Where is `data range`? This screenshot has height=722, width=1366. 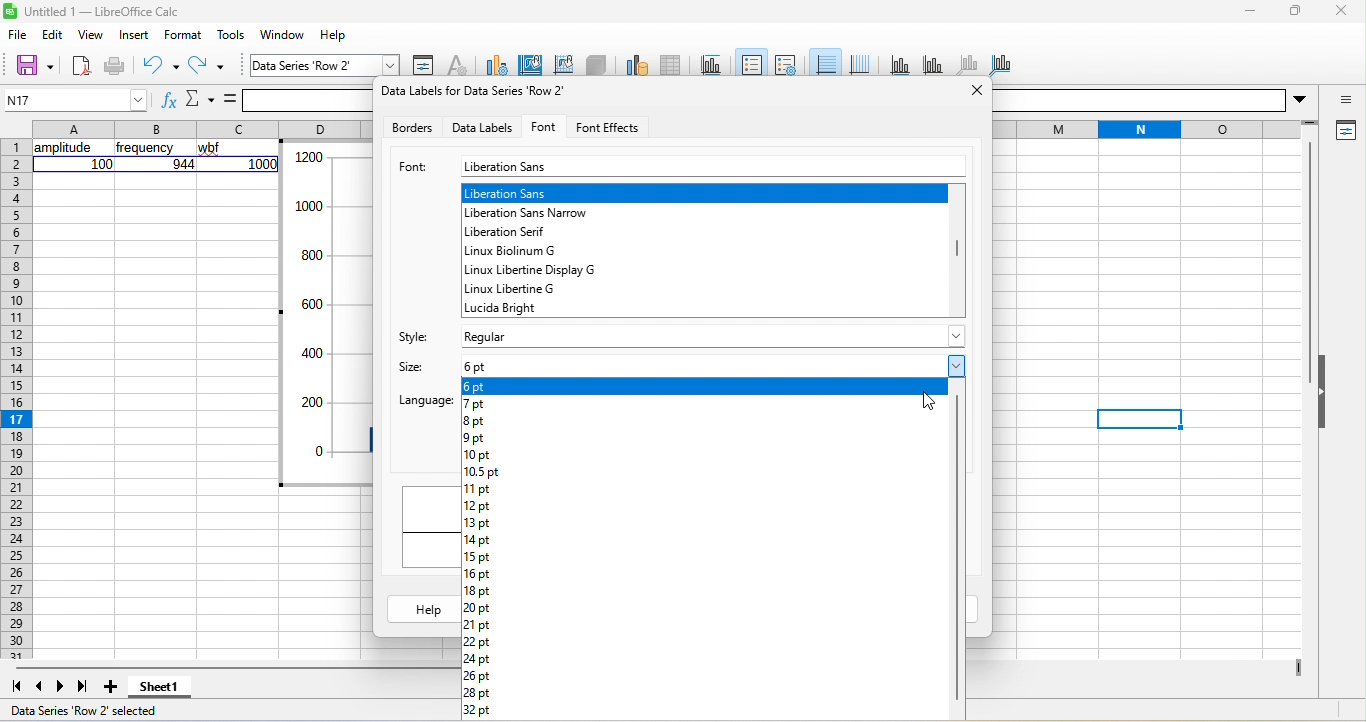 data range is located at coordinates (637, 64).